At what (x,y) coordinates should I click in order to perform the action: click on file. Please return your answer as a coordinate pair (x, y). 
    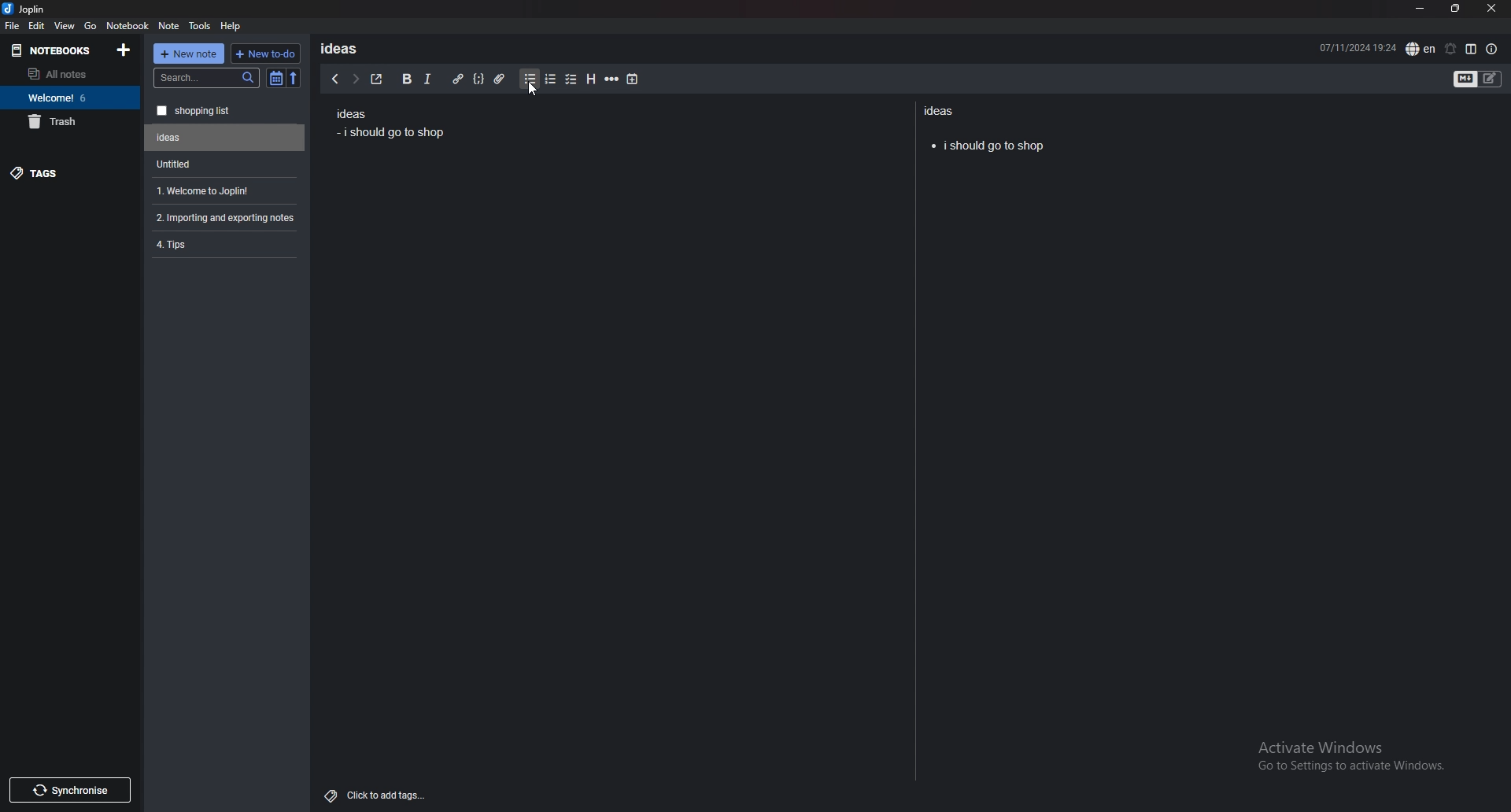
    Looking at the image, I should click on (12, 25).